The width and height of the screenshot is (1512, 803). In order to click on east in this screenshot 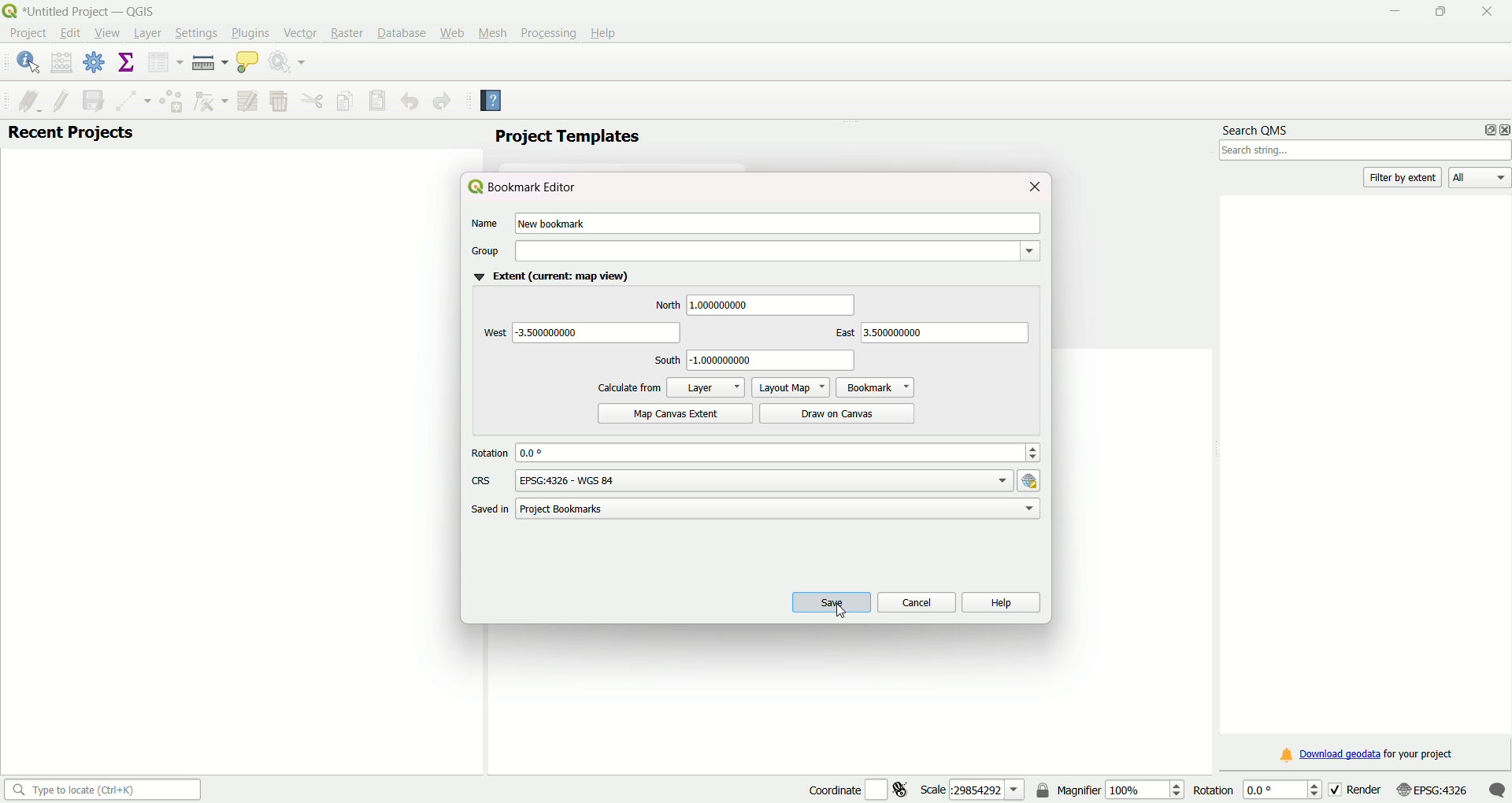, I will do `click(840, 334)`.